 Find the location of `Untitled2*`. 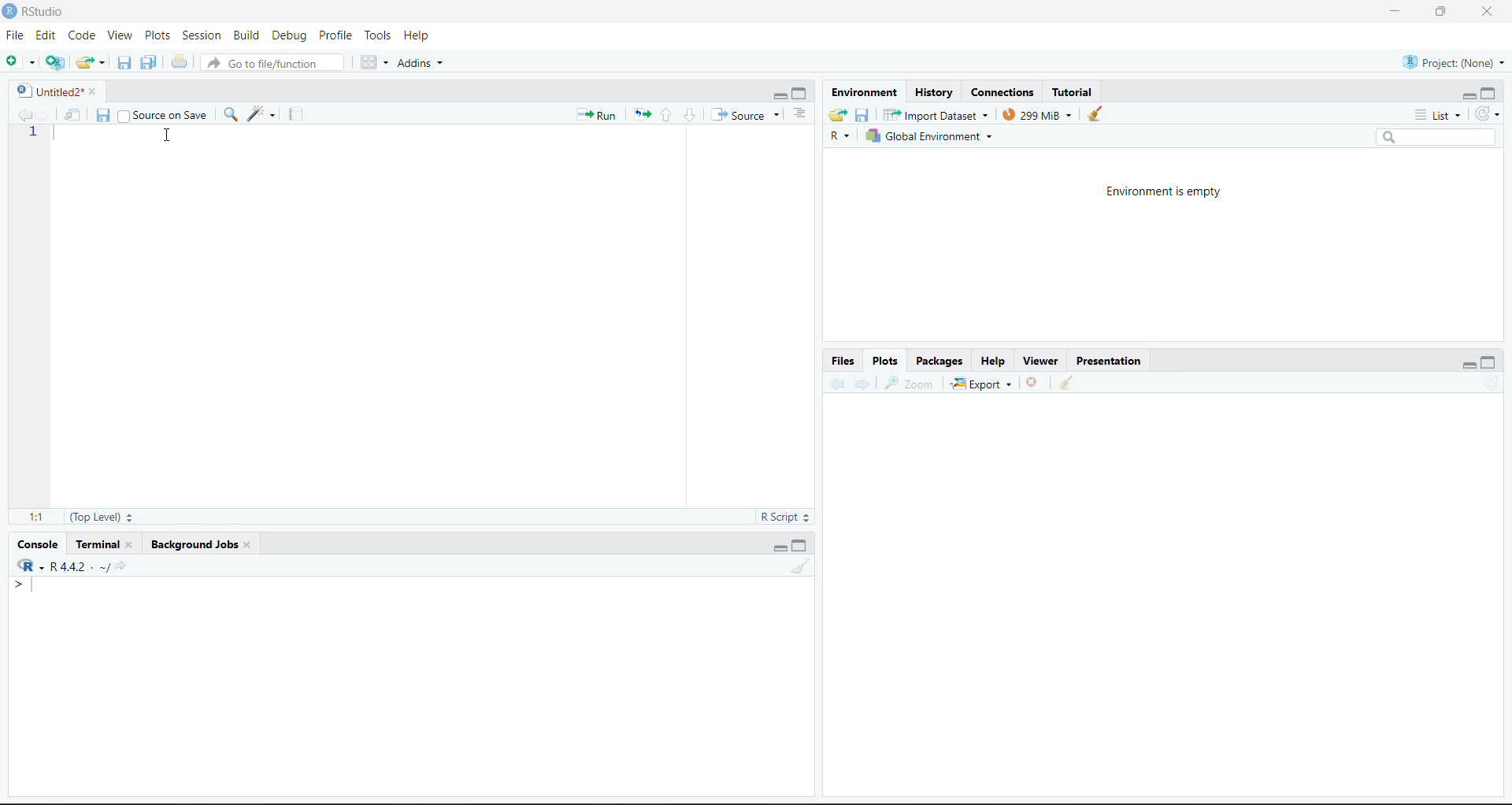

Untitled2* is located at coordinates (47, 92).